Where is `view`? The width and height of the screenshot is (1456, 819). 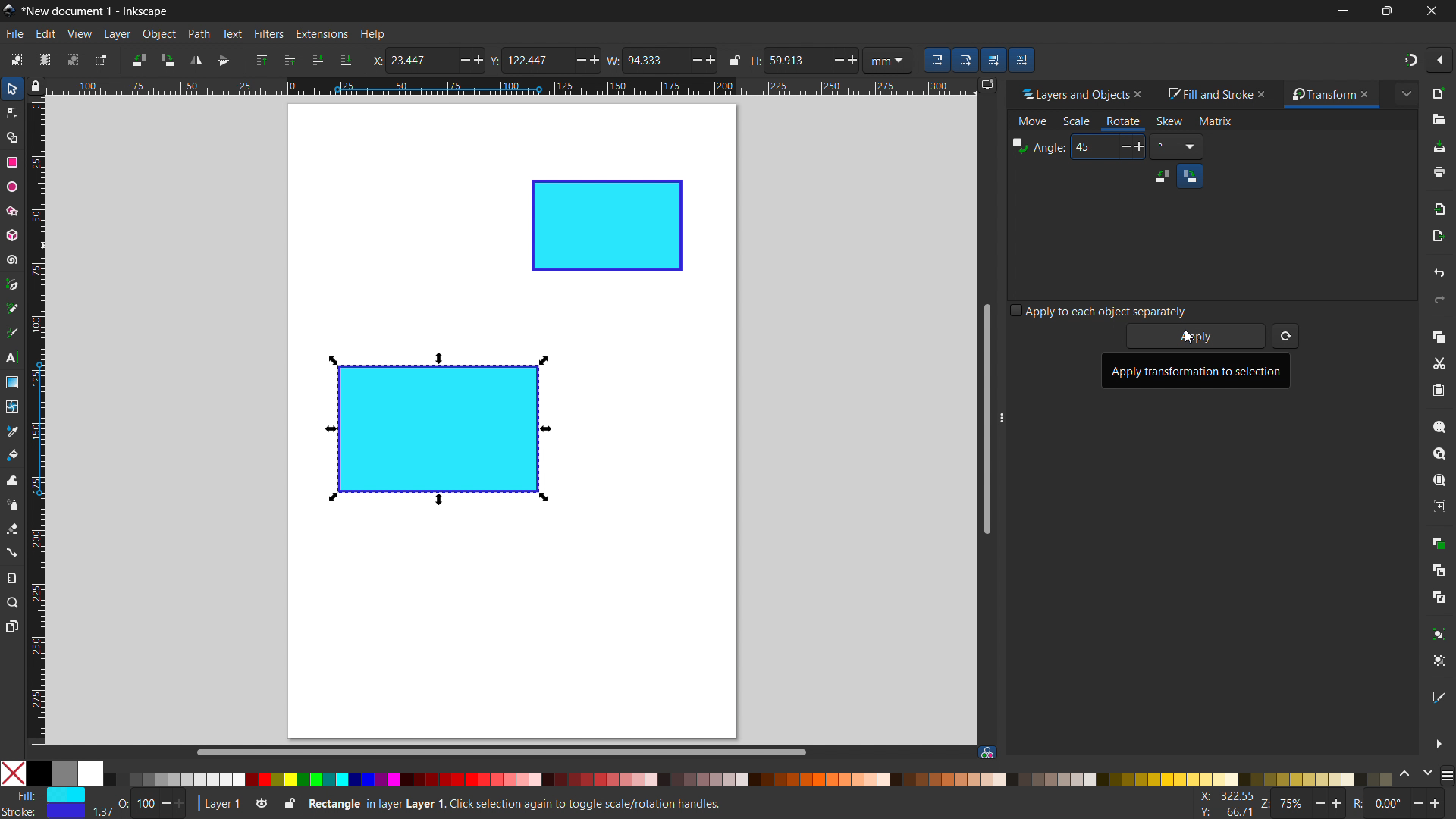 view is located at coordinates (79, 34).